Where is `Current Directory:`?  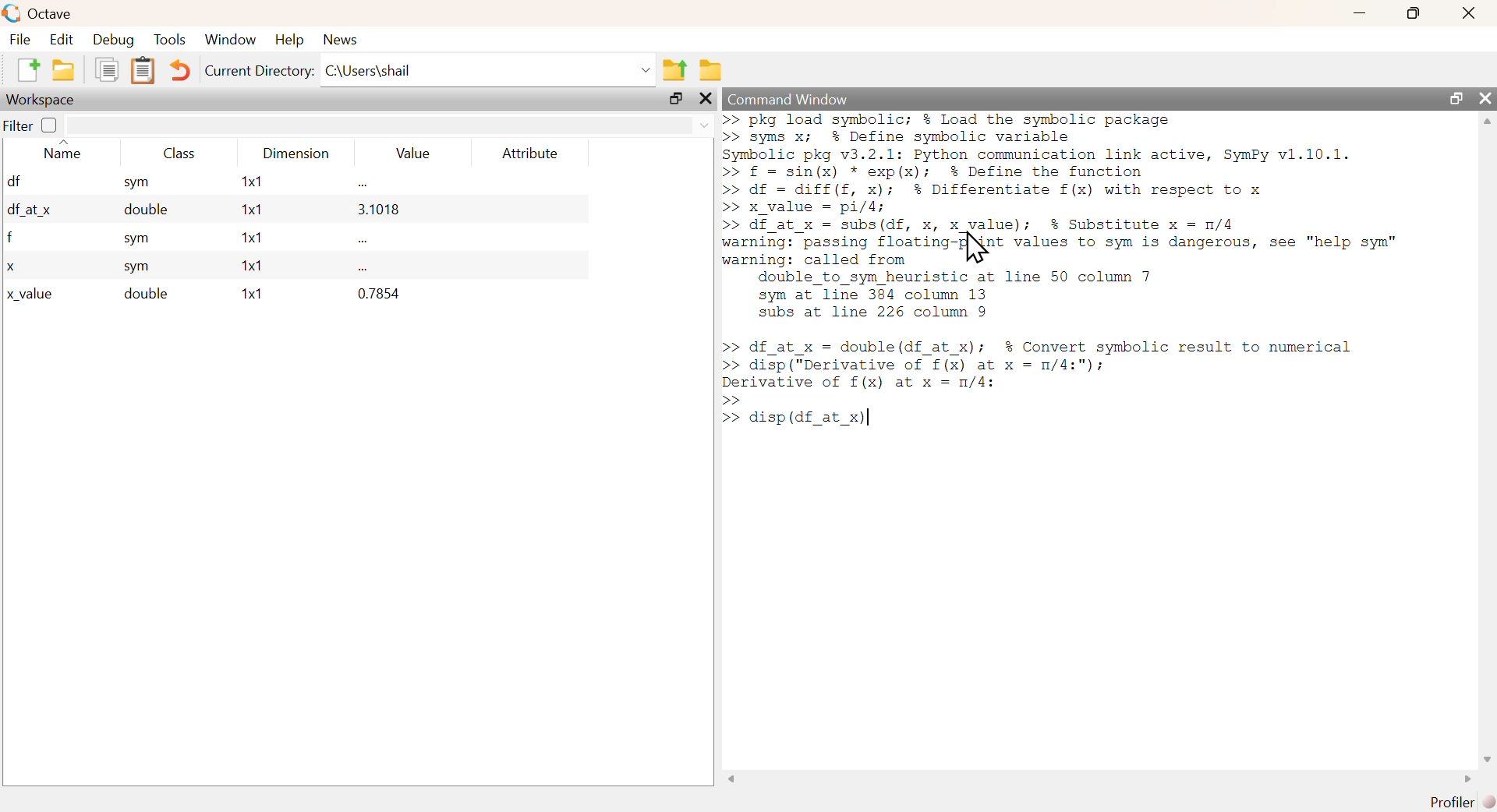
Current Directory: is located at coordinates (259, 70).